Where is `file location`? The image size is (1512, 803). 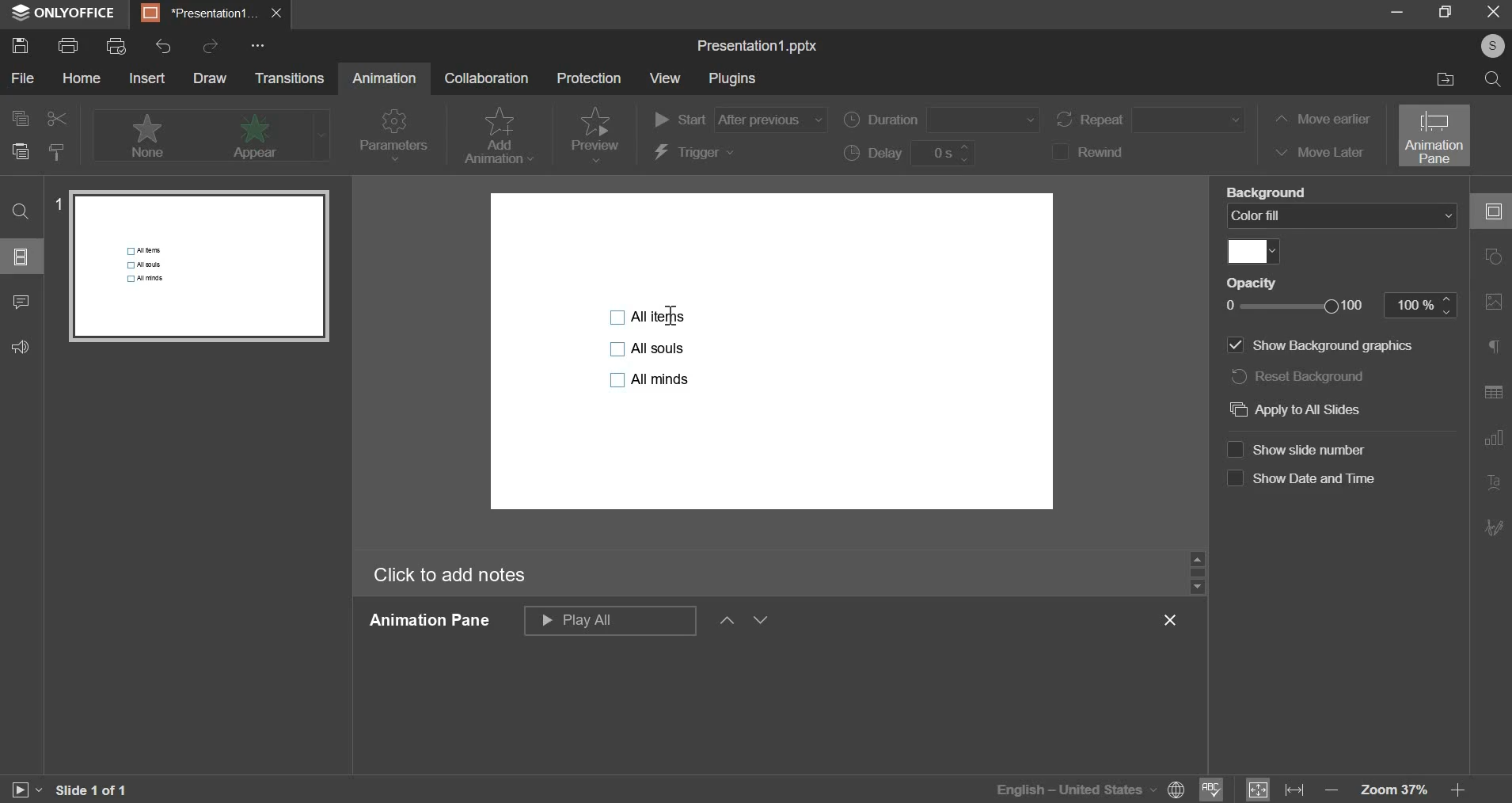 file location is located at coordinates (1439, 79).